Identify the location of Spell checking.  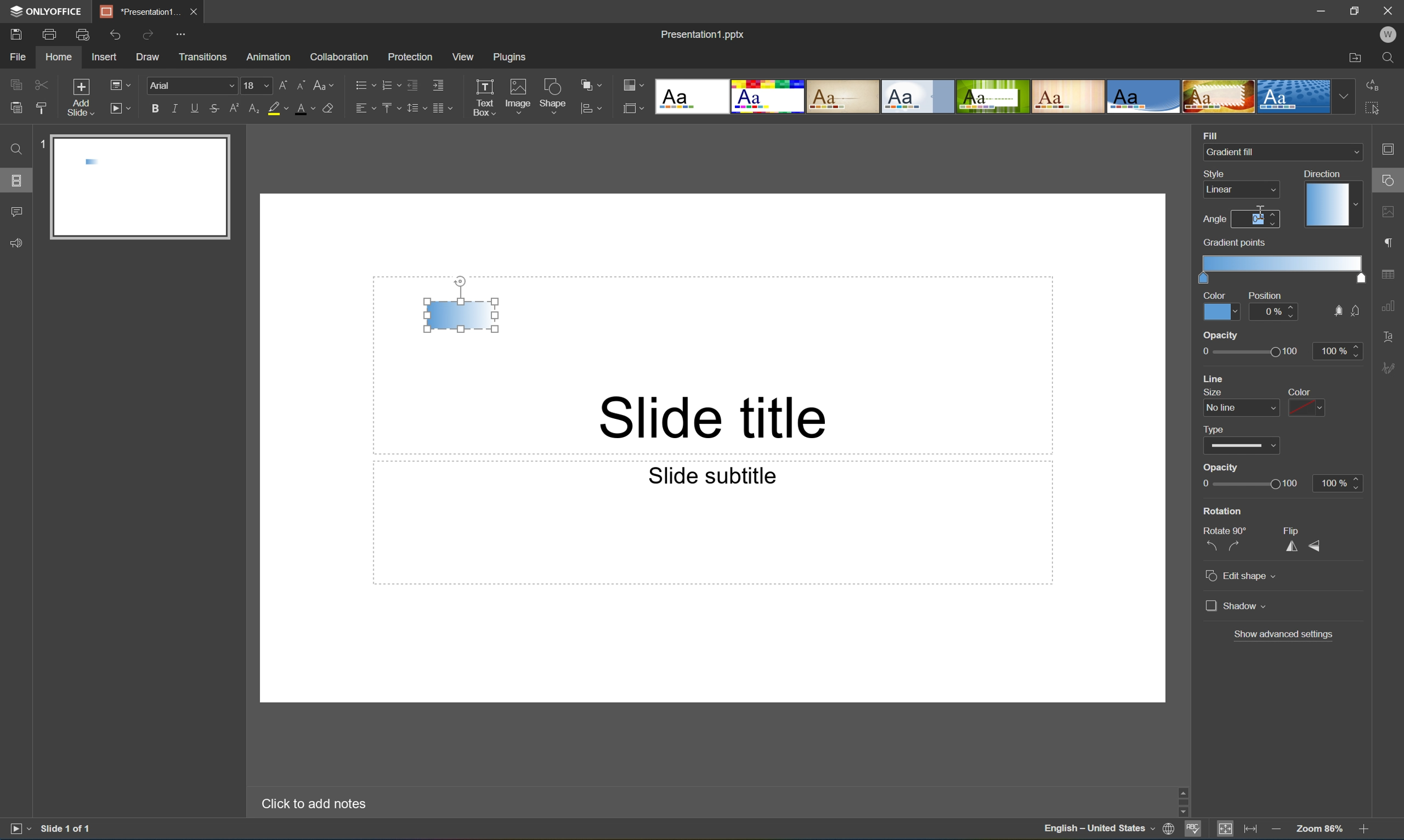
(1193, 830).